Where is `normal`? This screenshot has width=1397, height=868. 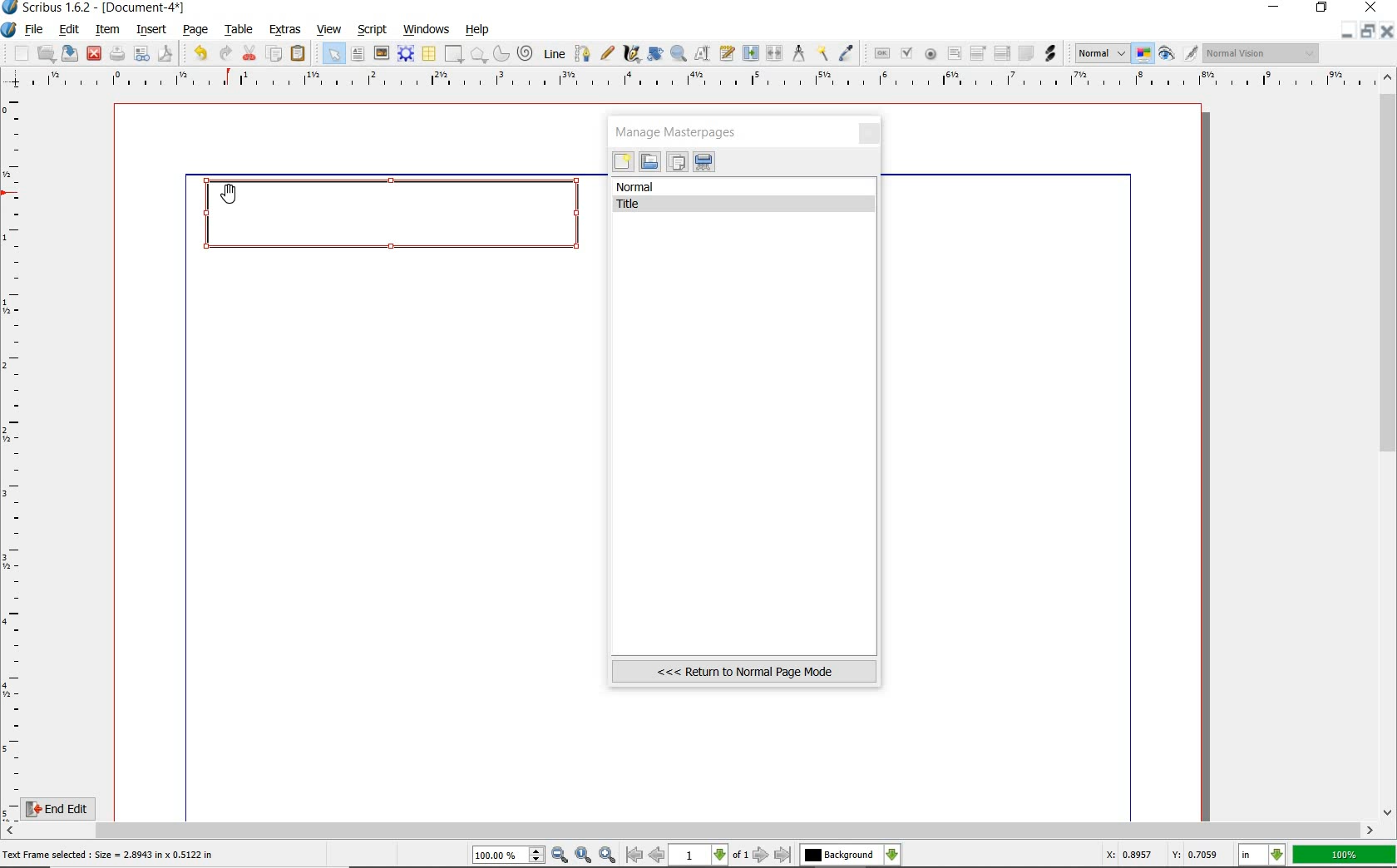 normal is located at coordinates (745, 187).